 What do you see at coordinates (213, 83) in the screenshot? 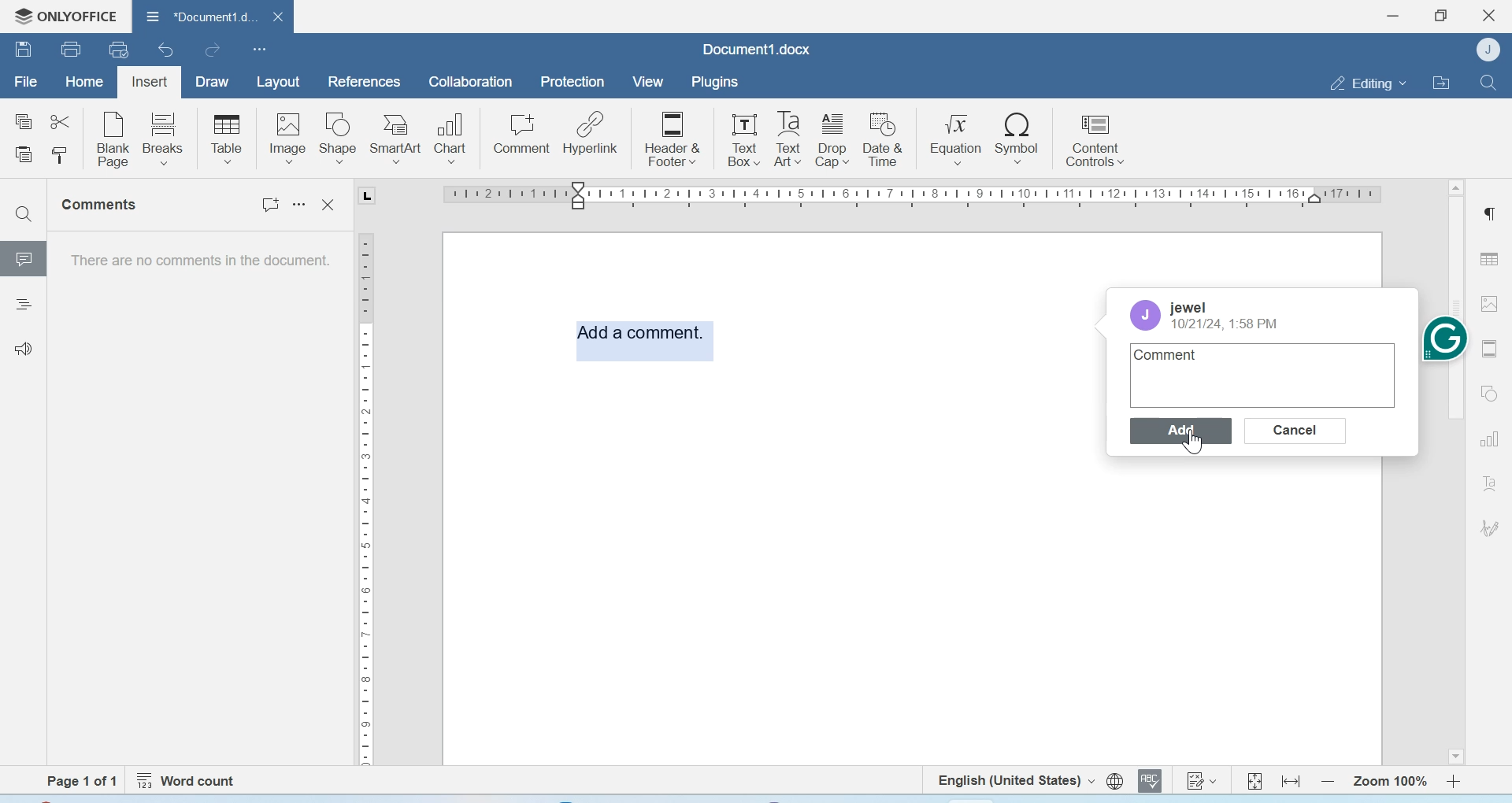
I see `Draw` at bounding box center [213, 83].